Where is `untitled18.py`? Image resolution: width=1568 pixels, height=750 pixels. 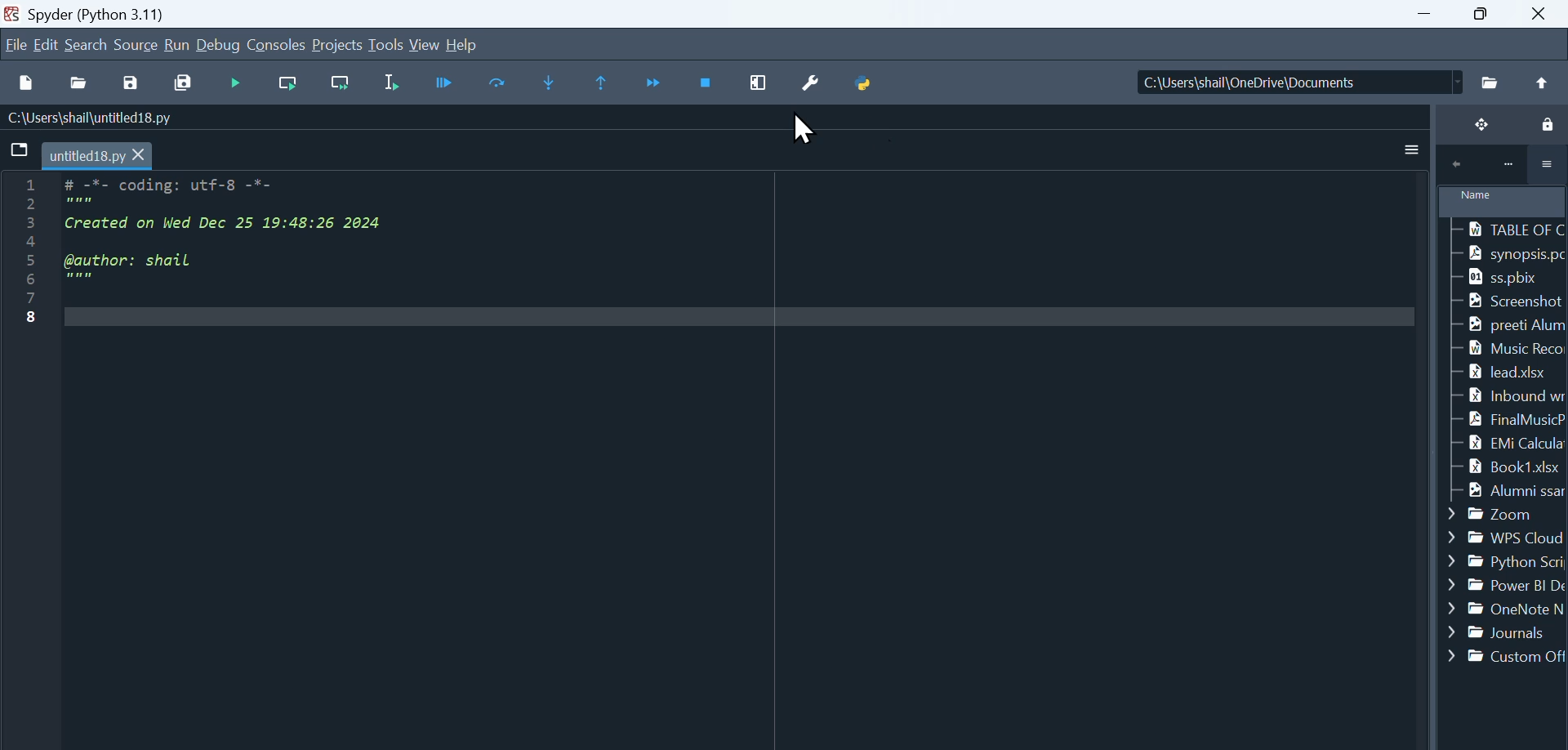 untitled18.py is located at coordinates (99, 154).